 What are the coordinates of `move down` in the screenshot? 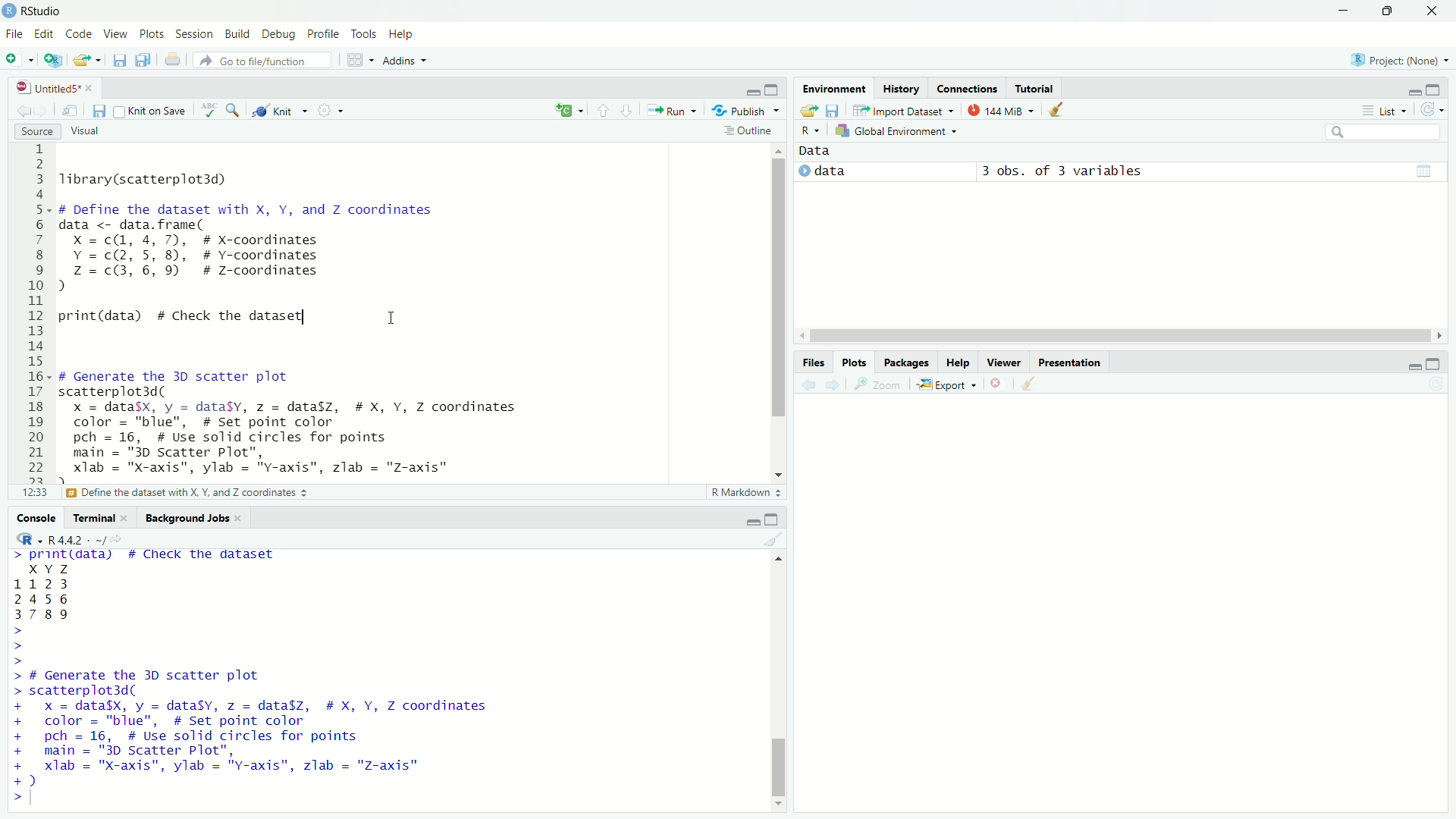 It's located at (781, 472).